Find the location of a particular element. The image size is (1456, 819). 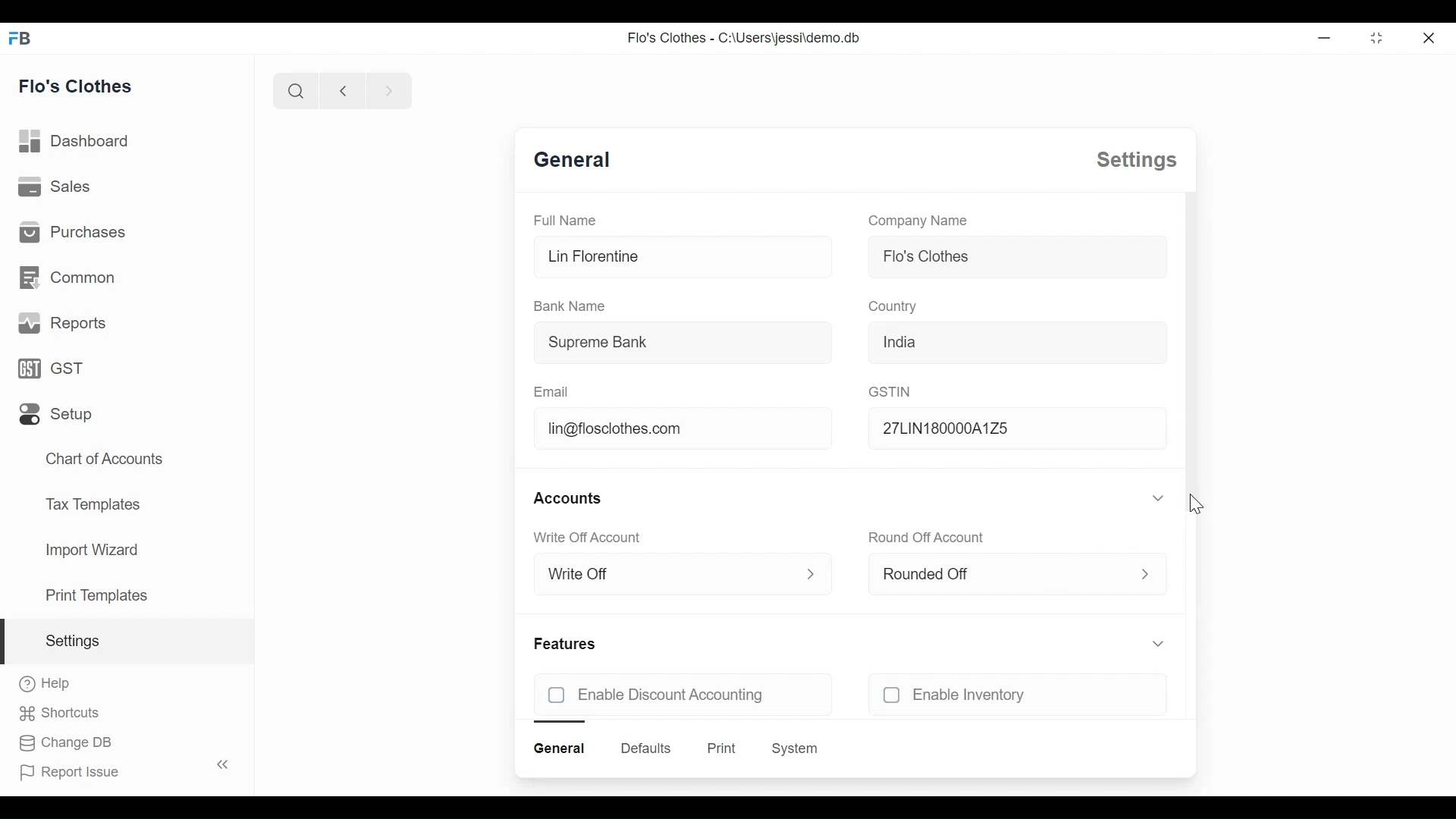

Write Off Account is located at coordinates (591, 537).